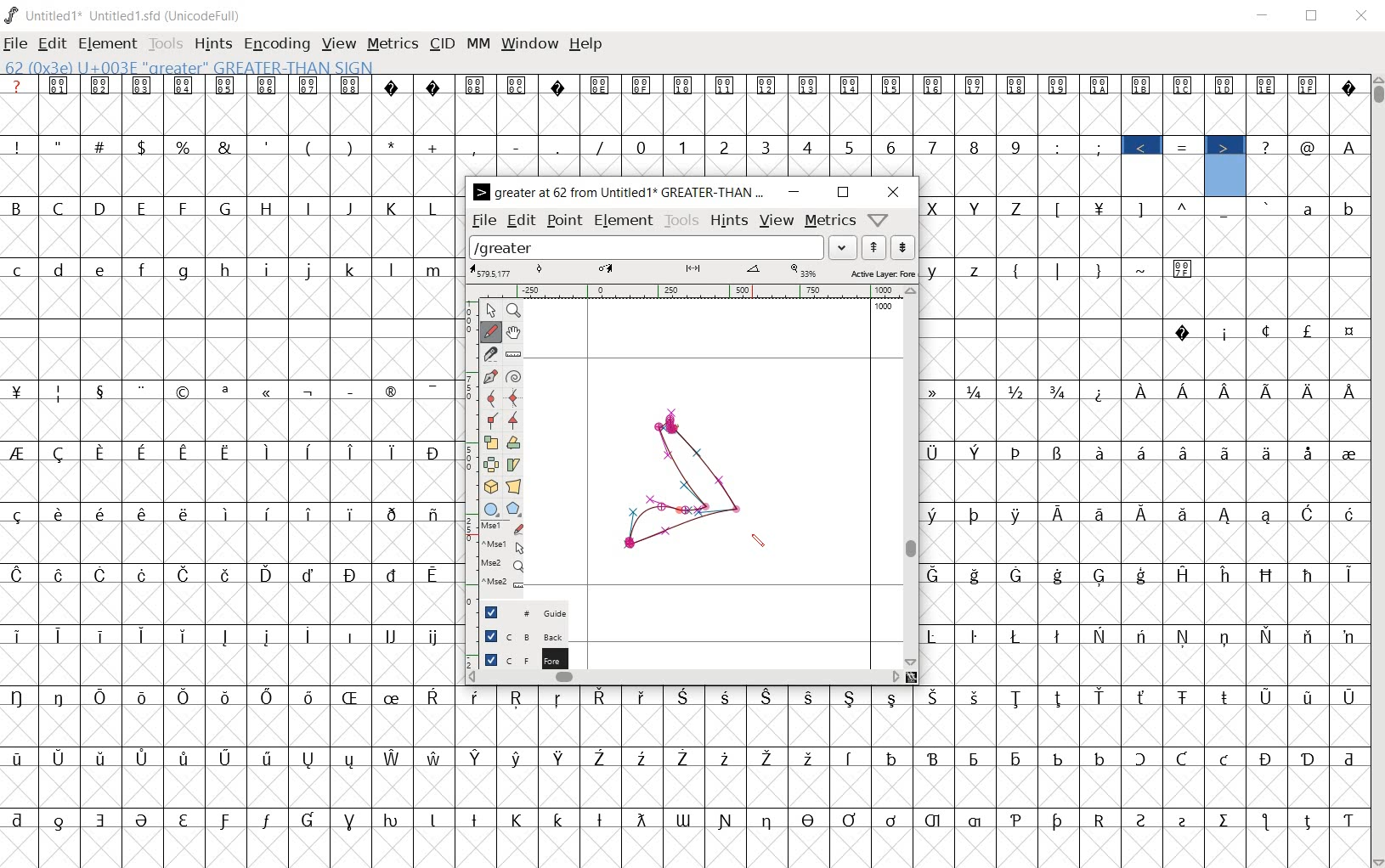 This screenshot has height=868, width=1385. I want to click on minimize, so click(1263, 16).